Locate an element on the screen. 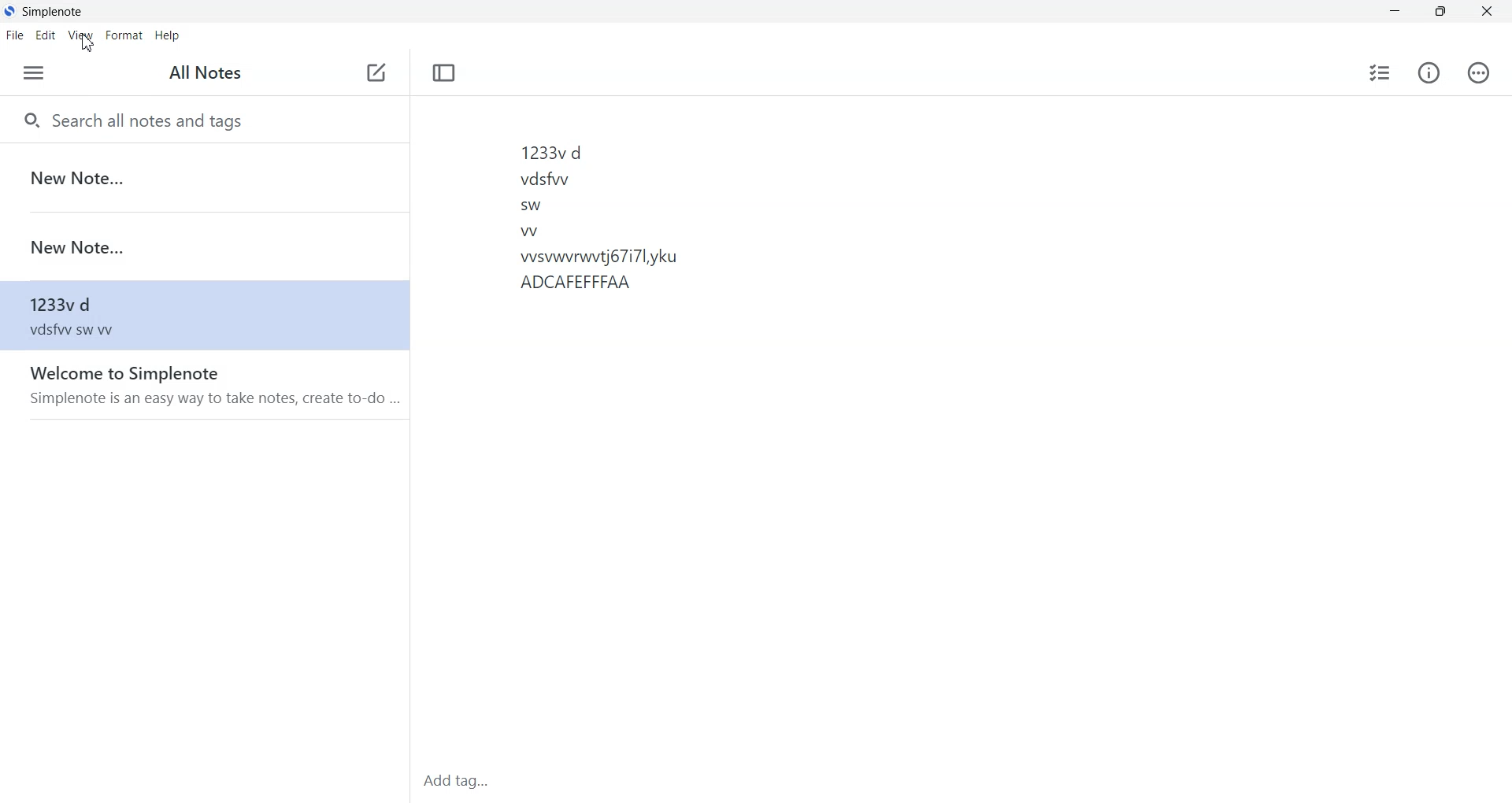 Image resolution: width=1512 pixels, height=803 pixels. Minimize is located at coordinates (1395, 12).